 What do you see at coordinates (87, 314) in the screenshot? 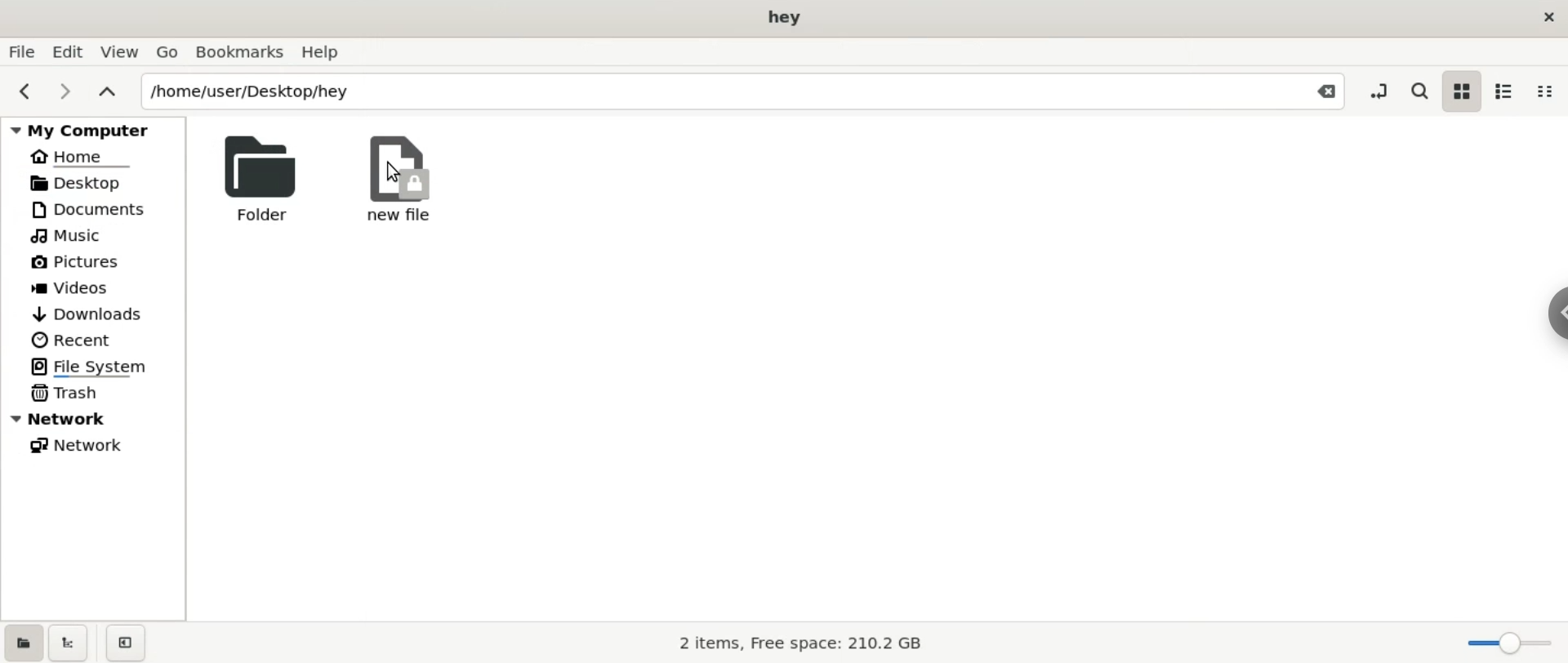
I see `Downloads` at bounding box center [87, 314].